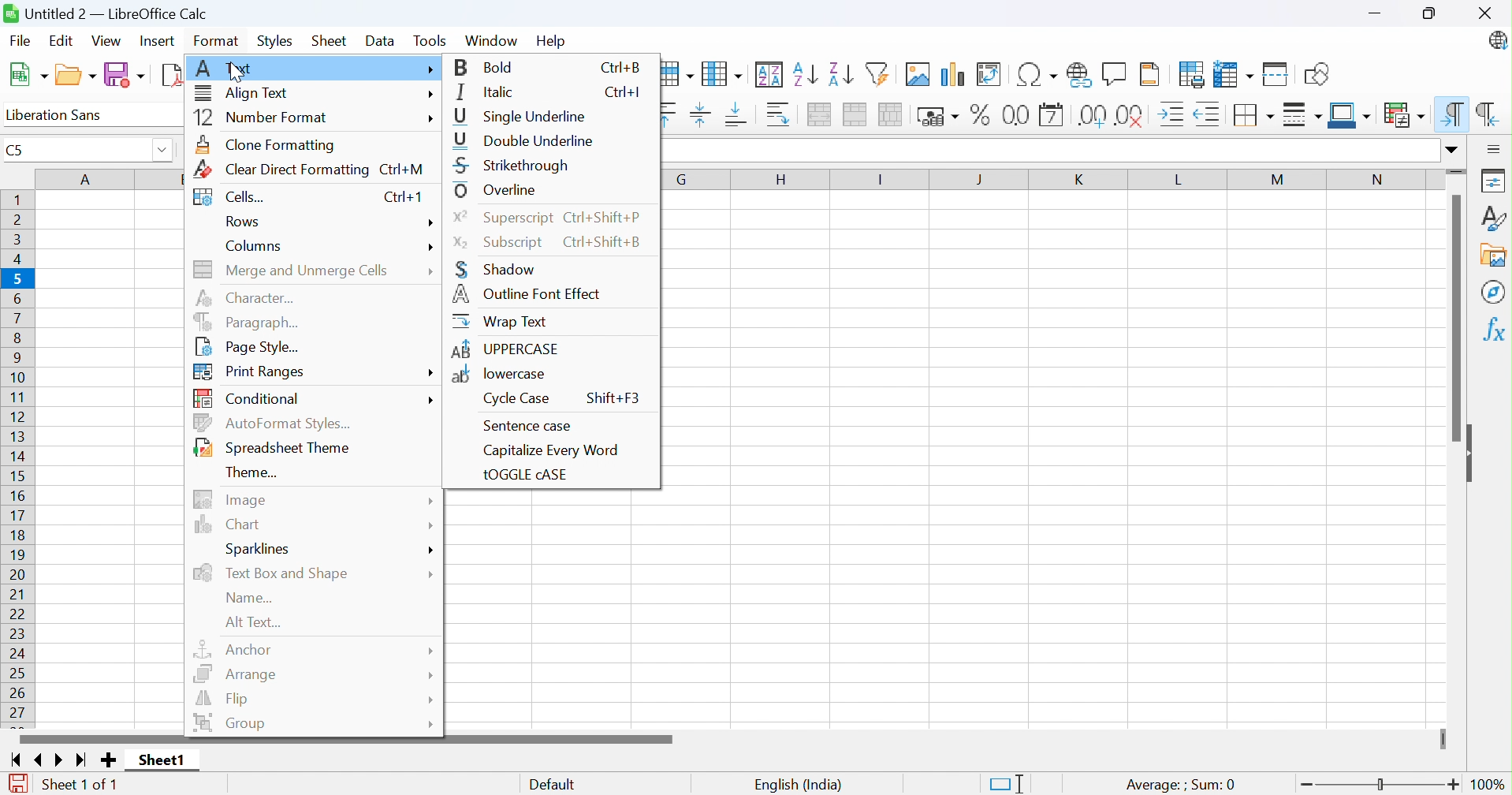  Describe the element at coordinates (61, 39) in the screenshot. I see `Edit` at that location.